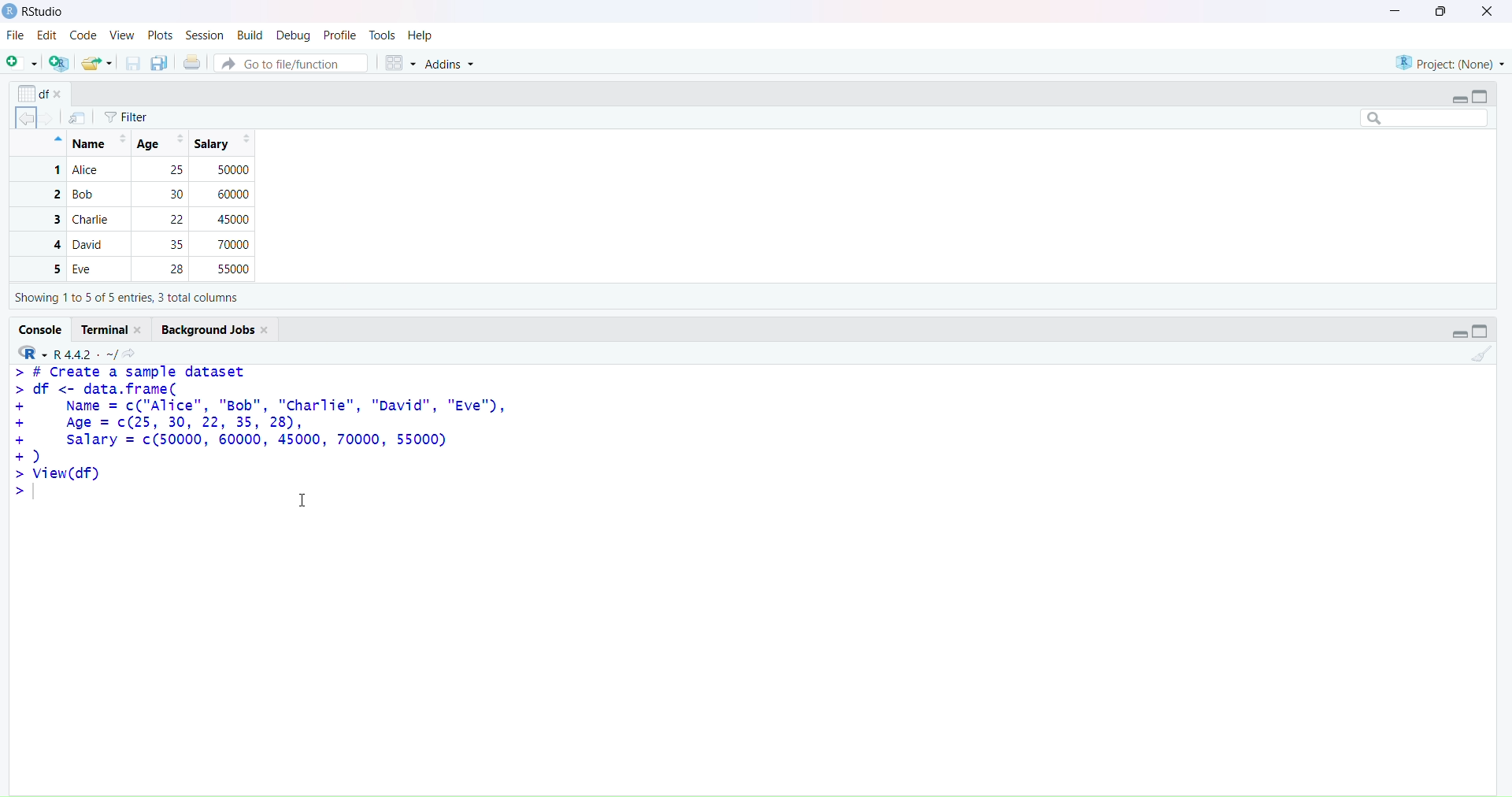  Describe the element at coordinates (39, 491) in the screenshot. I see `text cursor` at that location.